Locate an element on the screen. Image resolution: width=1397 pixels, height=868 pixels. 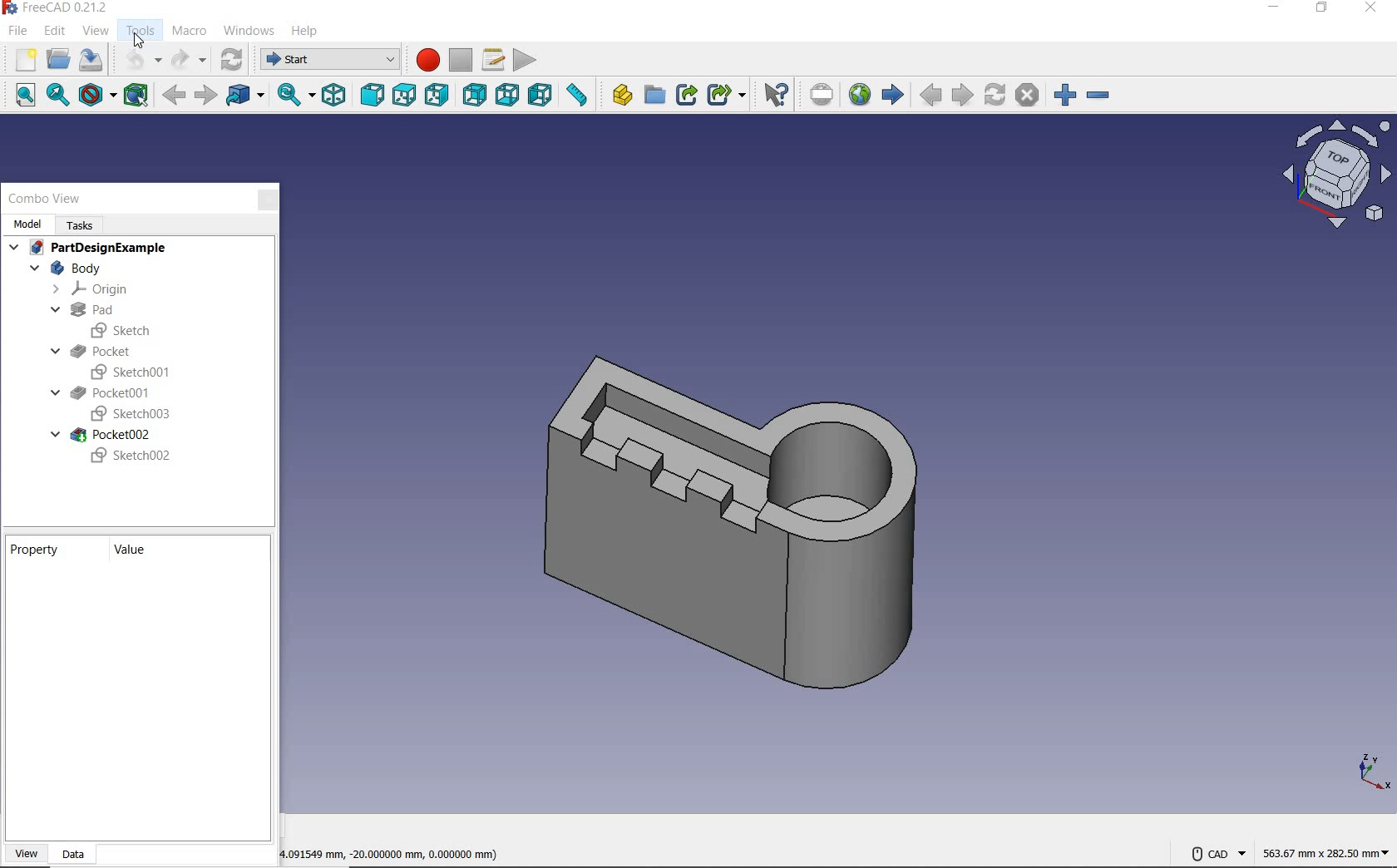
Help is located at coordinates (309, 26).